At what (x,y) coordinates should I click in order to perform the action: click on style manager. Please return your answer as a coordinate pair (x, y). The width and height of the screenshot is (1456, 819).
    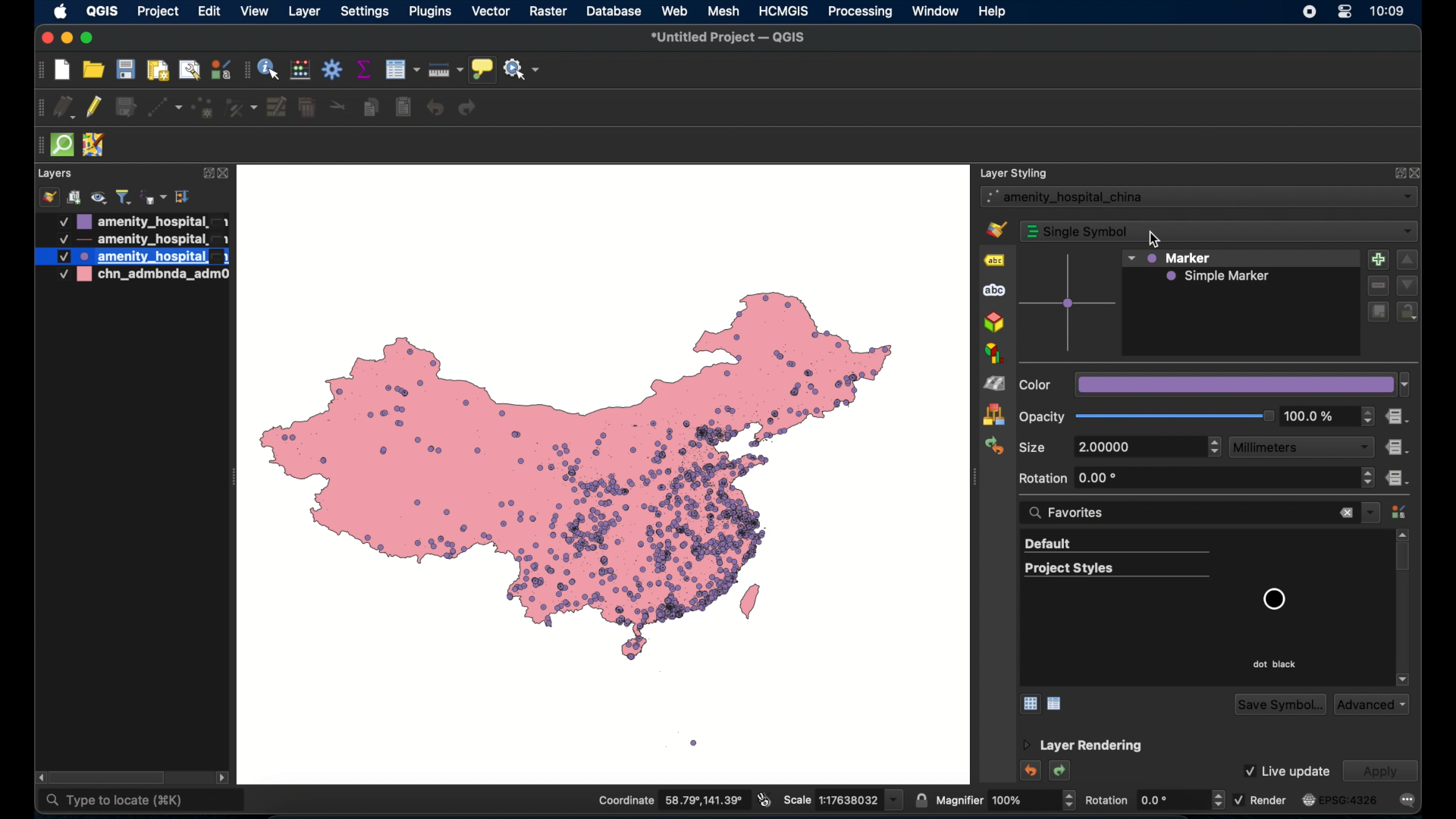
    Looking at the image, I should click on (222, 69).